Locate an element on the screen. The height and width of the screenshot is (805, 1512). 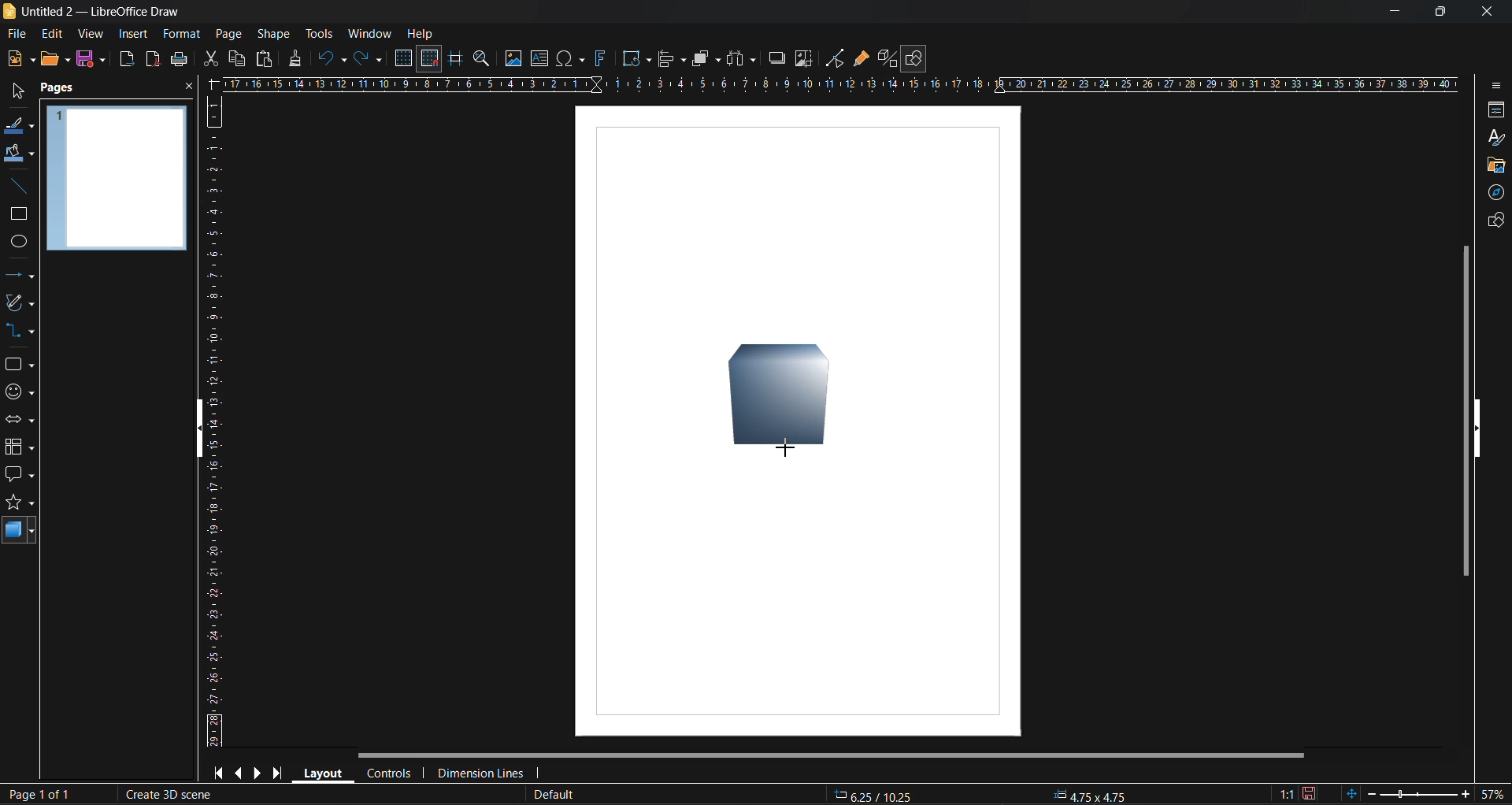
flowchart is located at coordinates (20, 447).